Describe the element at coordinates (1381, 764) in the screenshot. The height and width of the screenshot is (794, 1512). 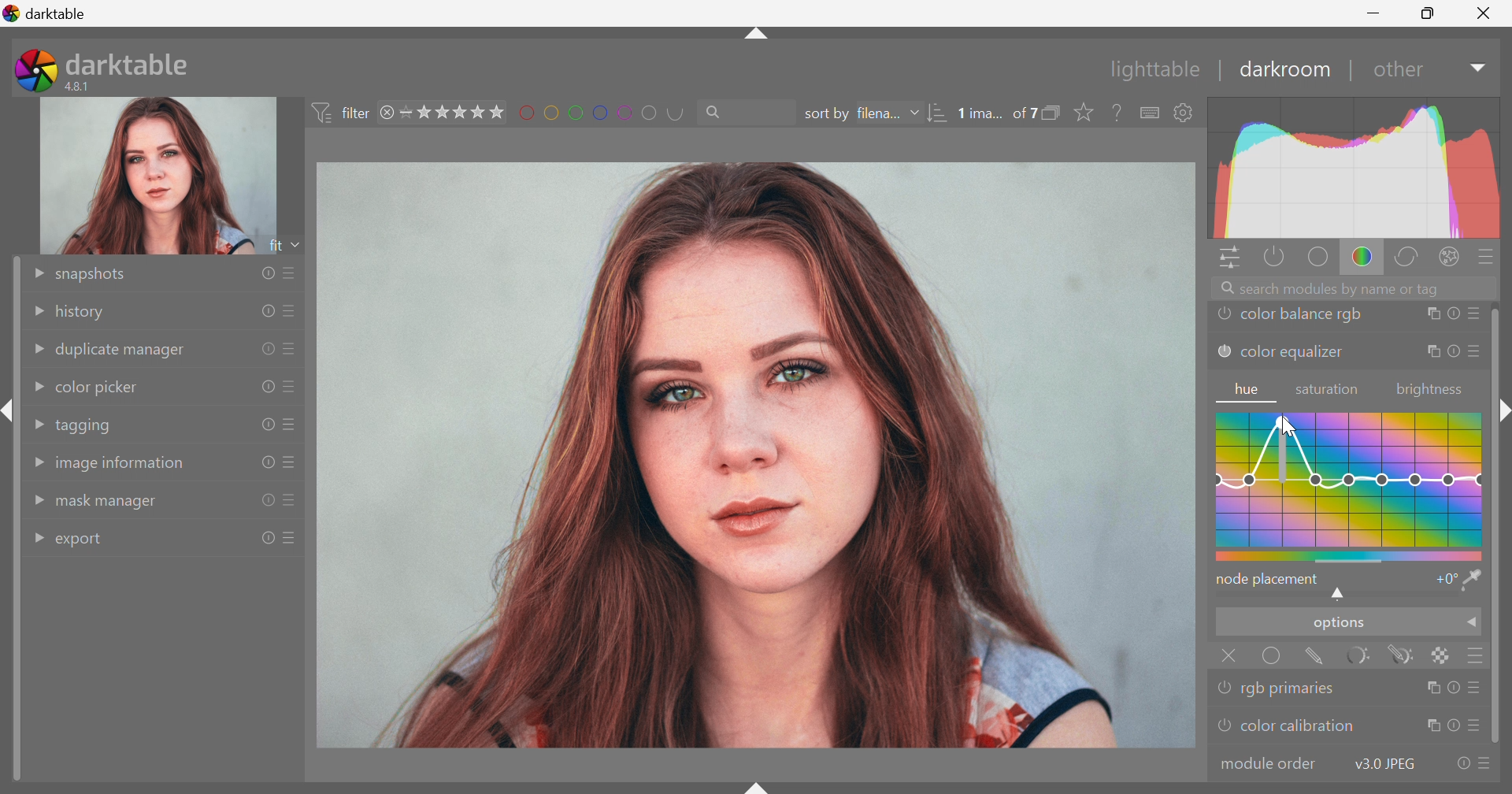
I see `v3.0 JPEG` at that location.